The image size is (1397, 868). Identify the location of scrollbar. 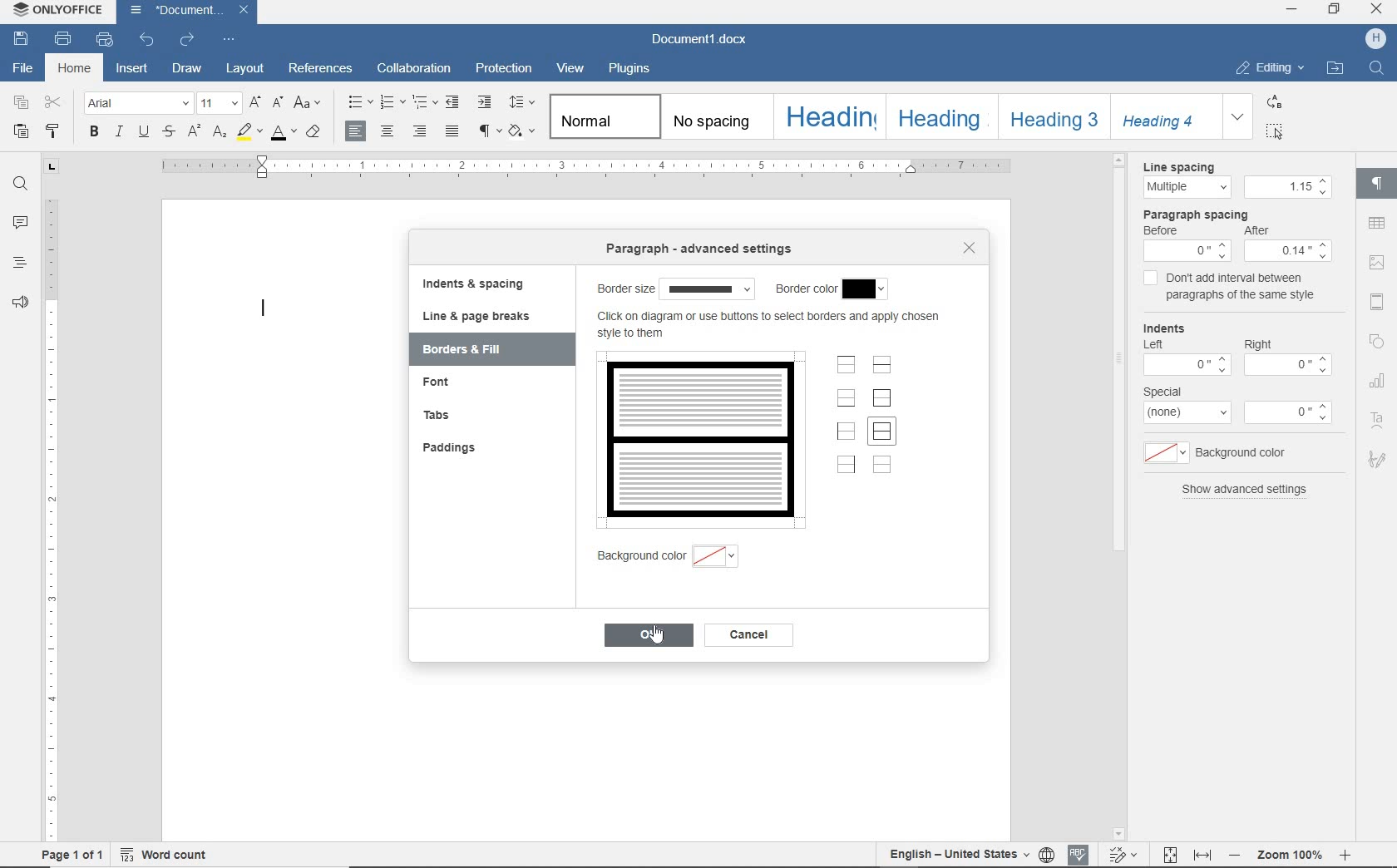
(1114, 354).